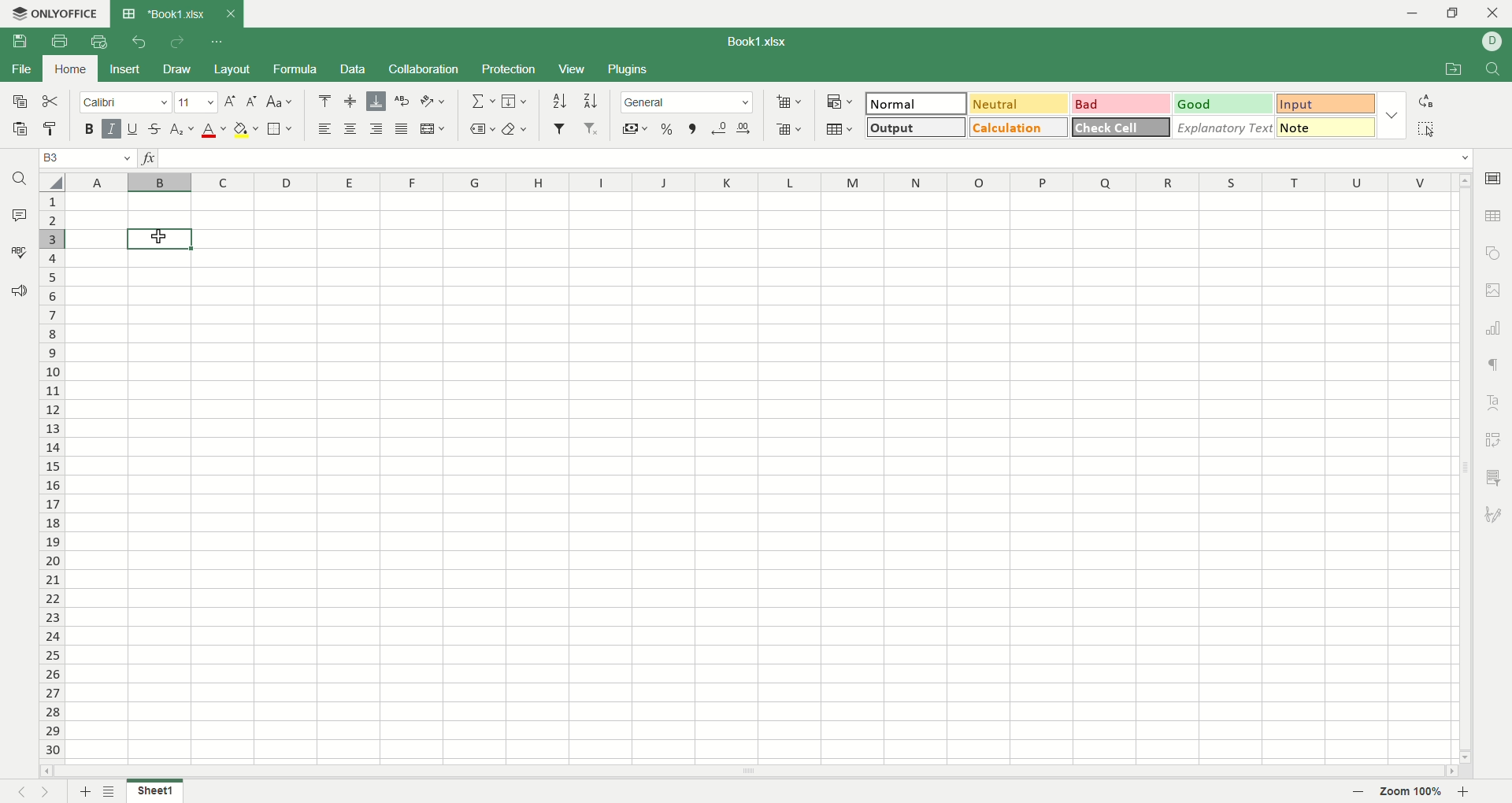  What do you see at coordinates (92, 128) in the screenshot?
I see `bold` at bounding box center [92, 128].